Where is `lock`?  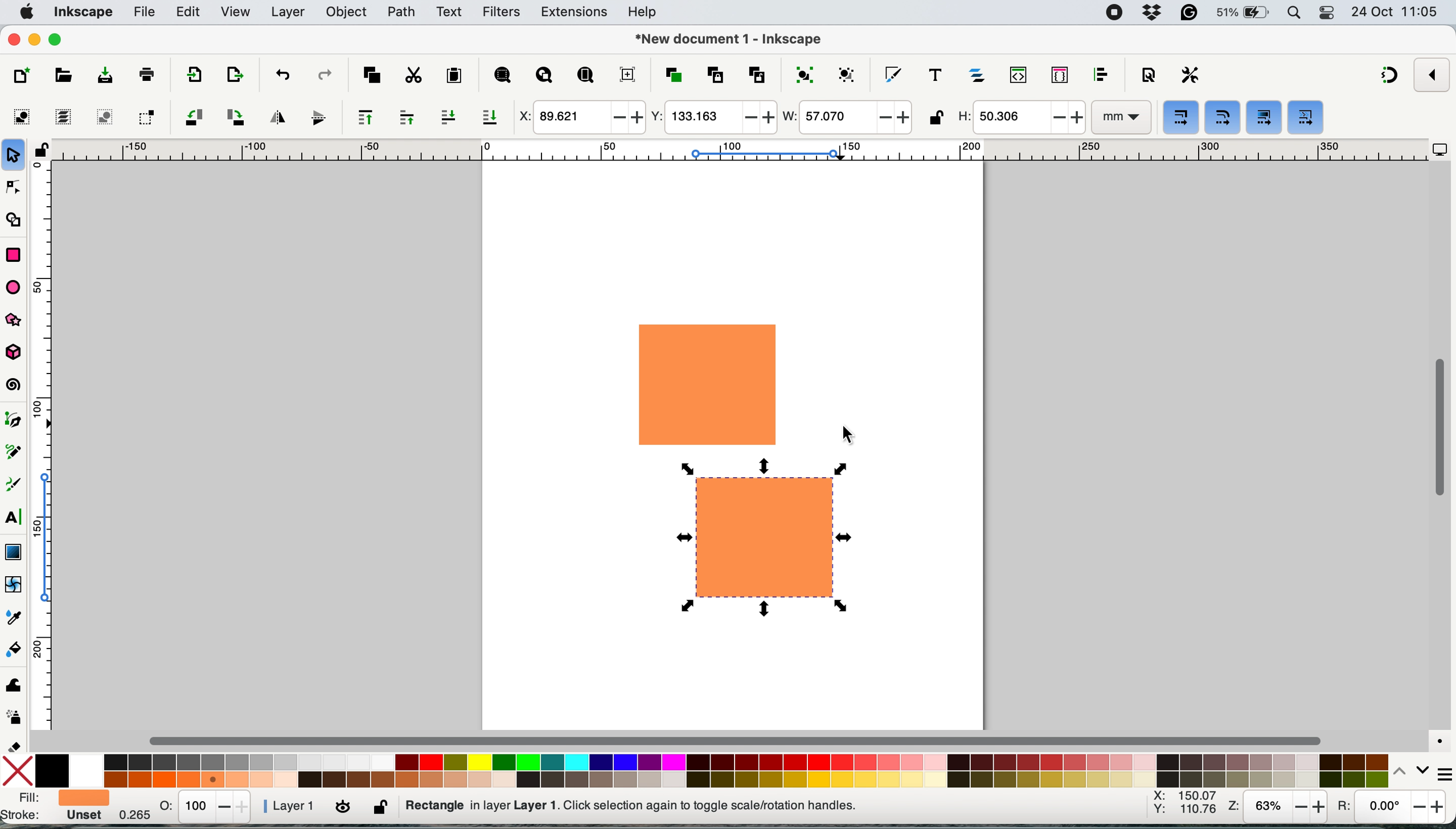
lock is located at coordinates (41, 154).